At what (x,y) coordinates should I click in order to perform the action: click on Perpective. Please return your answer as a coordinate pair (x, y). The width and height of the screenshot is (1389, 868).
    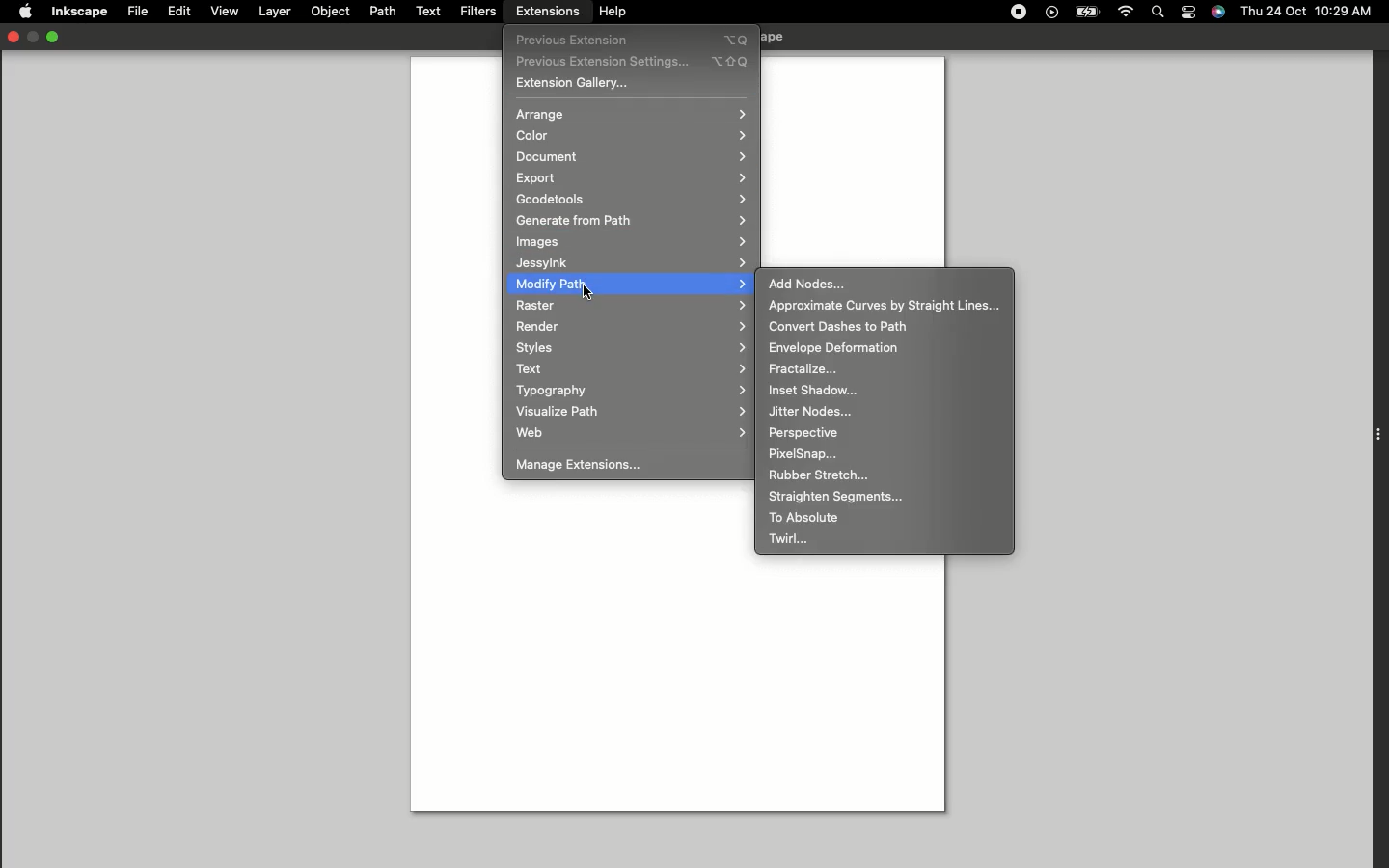
    Looking at the image, I should click on (812, 432).